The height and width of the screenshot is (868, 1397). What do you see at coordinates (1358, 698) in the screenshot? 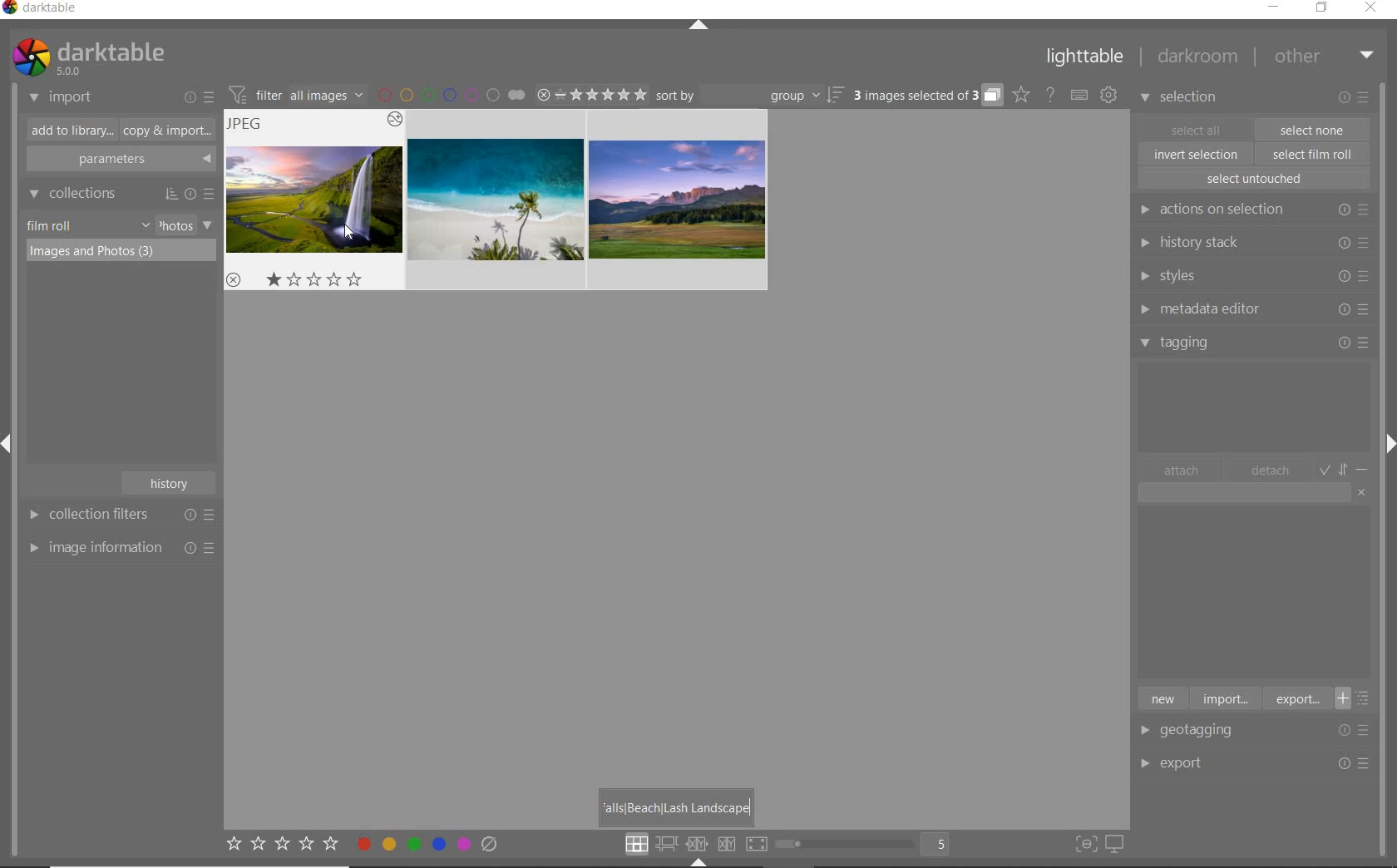
I see `toggle list` at bounding box center [1358, 698].